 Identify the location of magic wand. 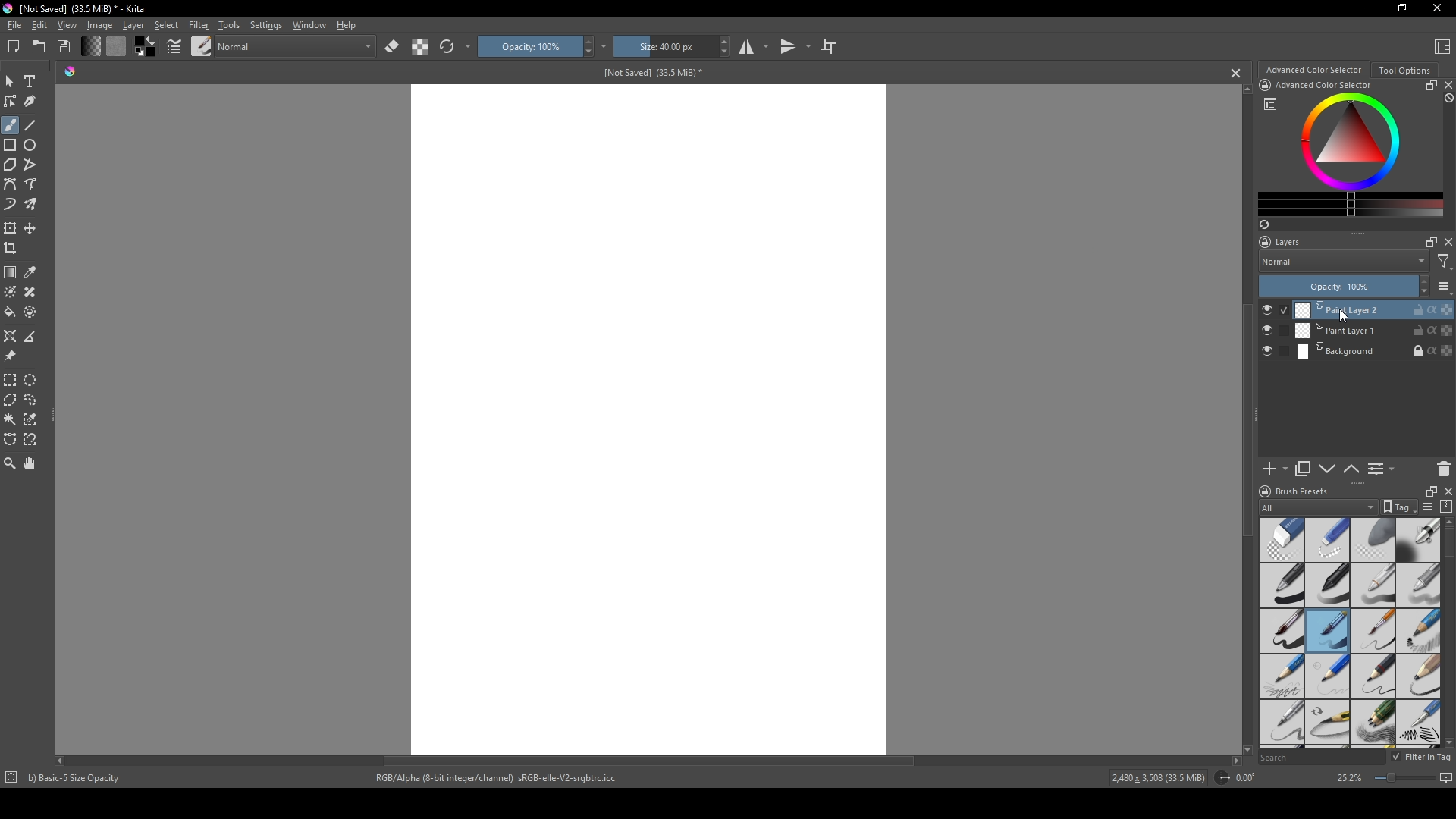
(10, 419).